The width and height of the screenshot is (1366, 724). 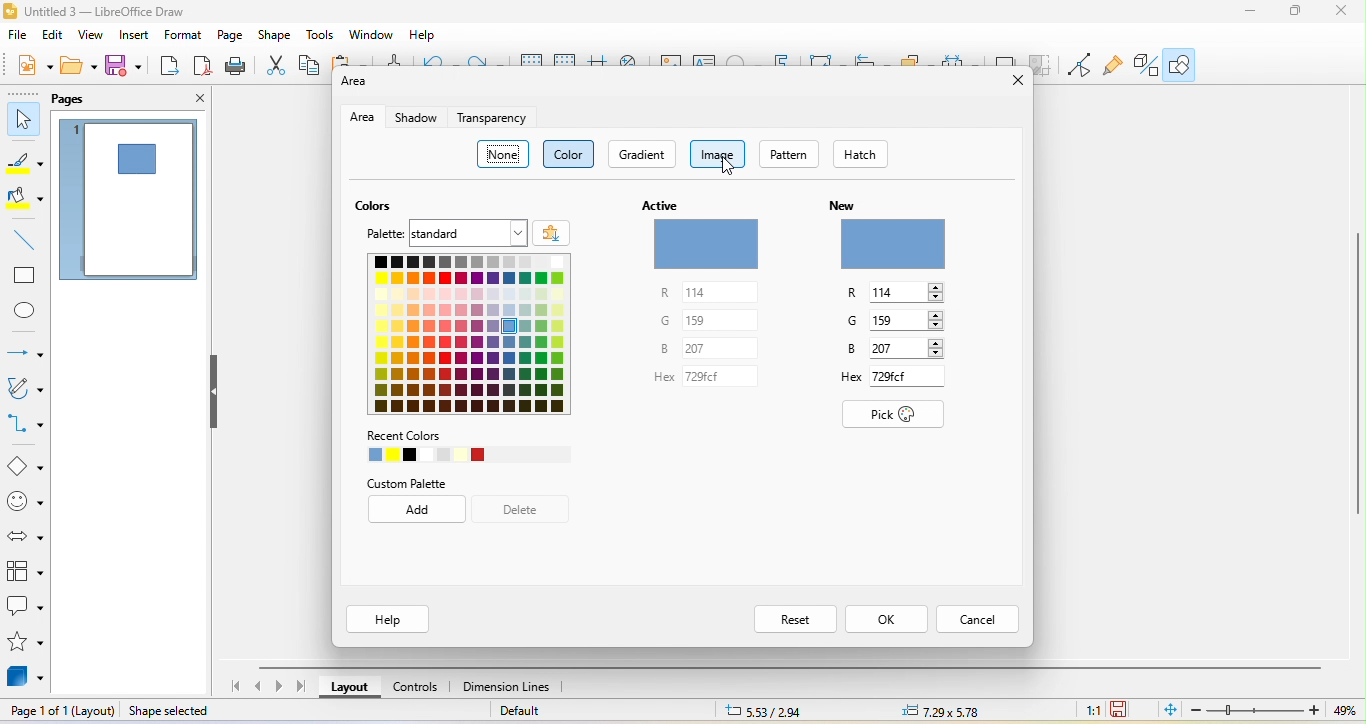 I want to click on gradient, so click(x=646, y=156).